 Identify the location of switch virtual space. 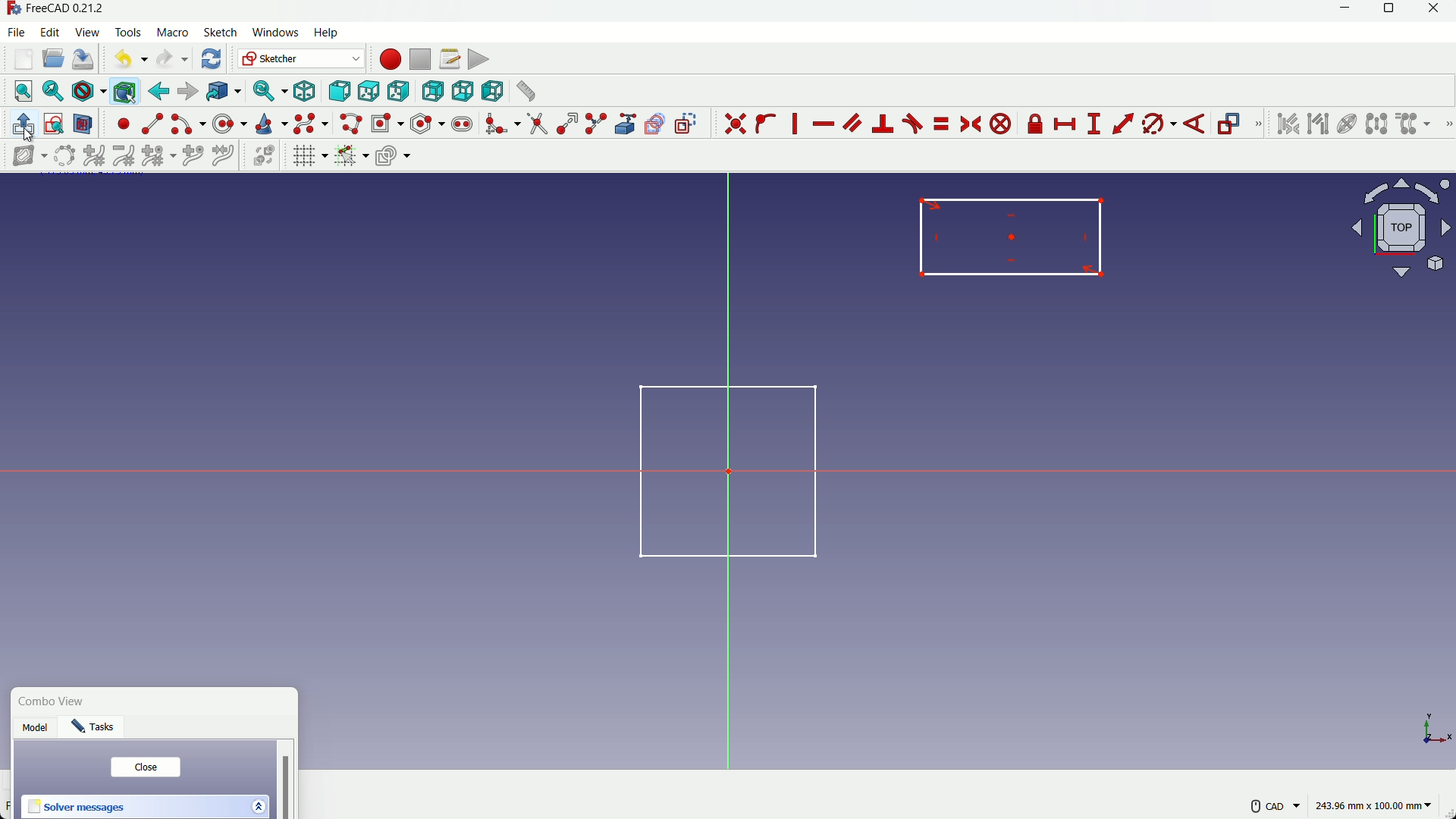
(265, 156).